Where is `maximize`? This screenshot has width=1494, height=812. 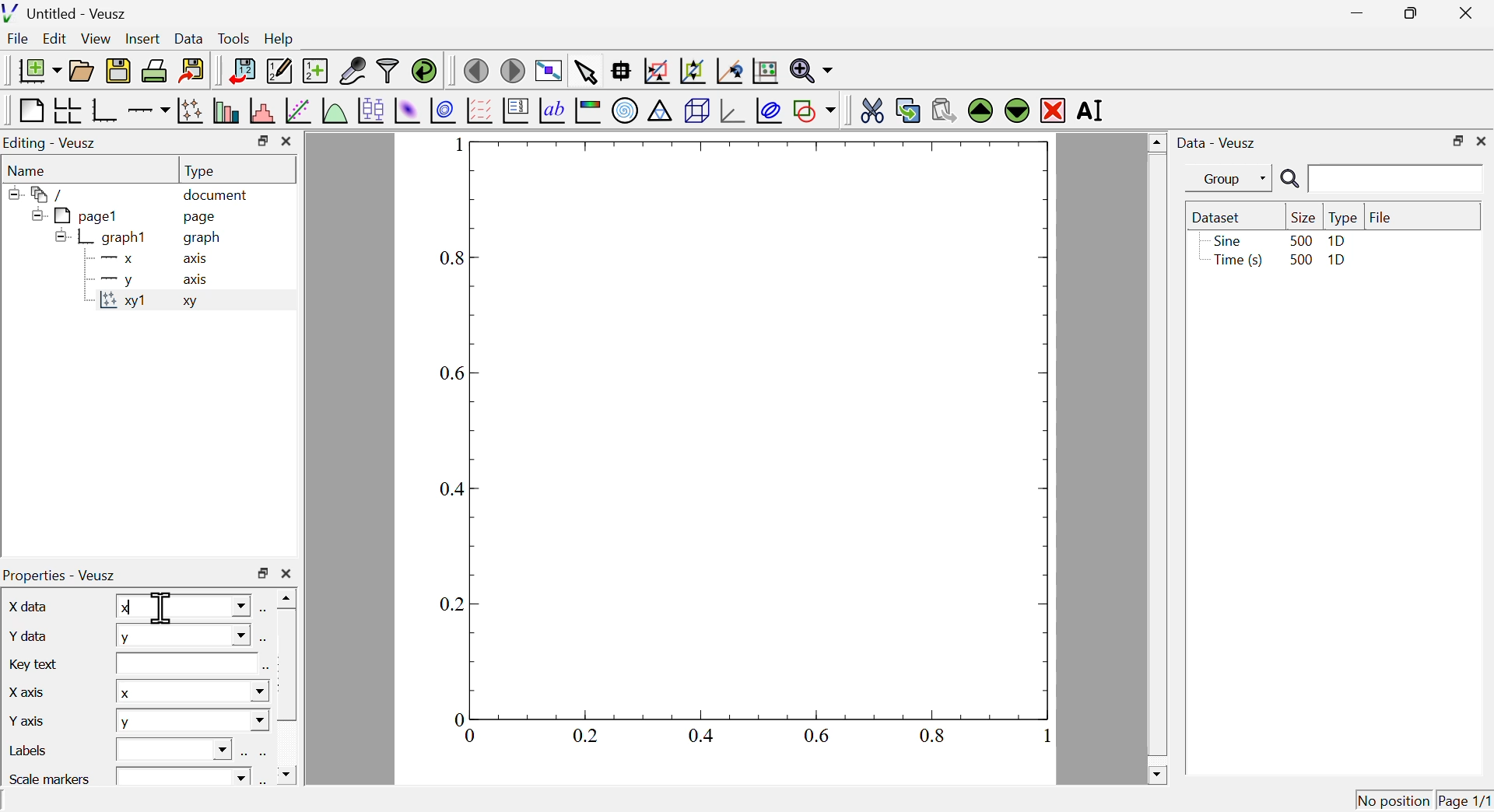
maximize is located at coordinates (260, 141).